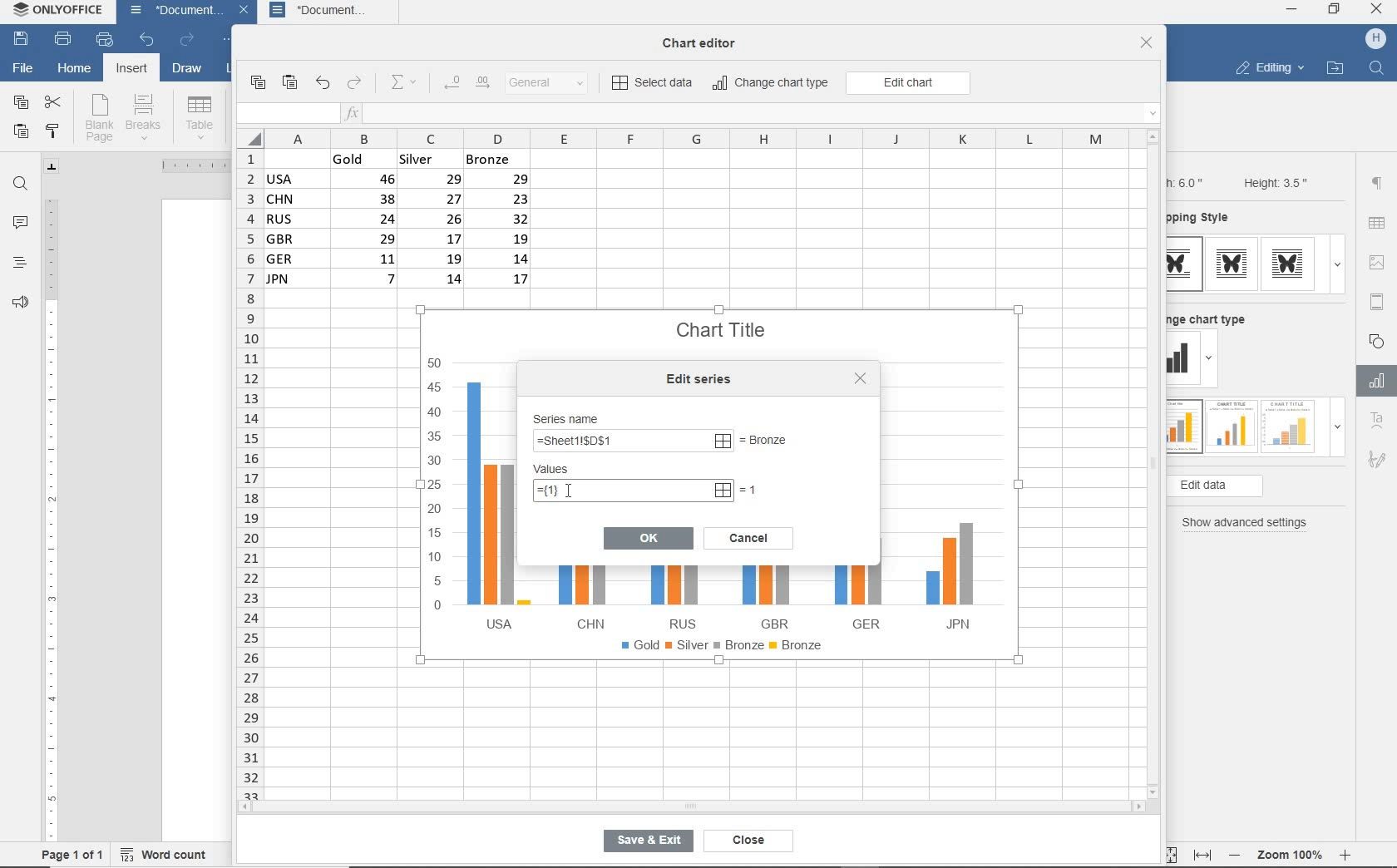 Image resolution: width=1397 pixels, height=868 pixels. I want to click on chart editor, so click(705, 38).